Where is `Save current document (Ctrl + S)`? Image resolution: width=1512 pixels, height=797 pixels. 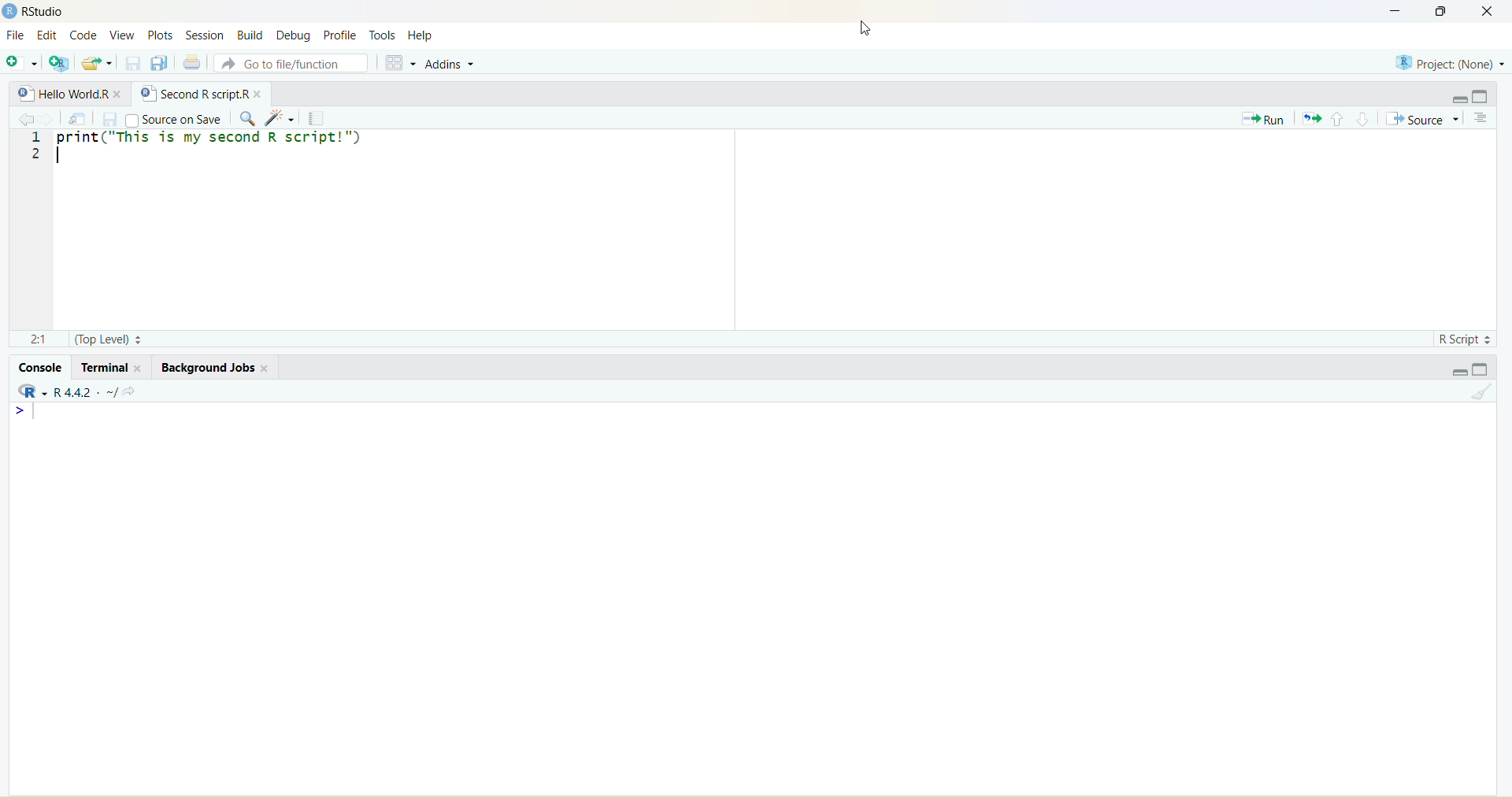 Save current document (Ctrl + S) is located at coordinates (132, 64).